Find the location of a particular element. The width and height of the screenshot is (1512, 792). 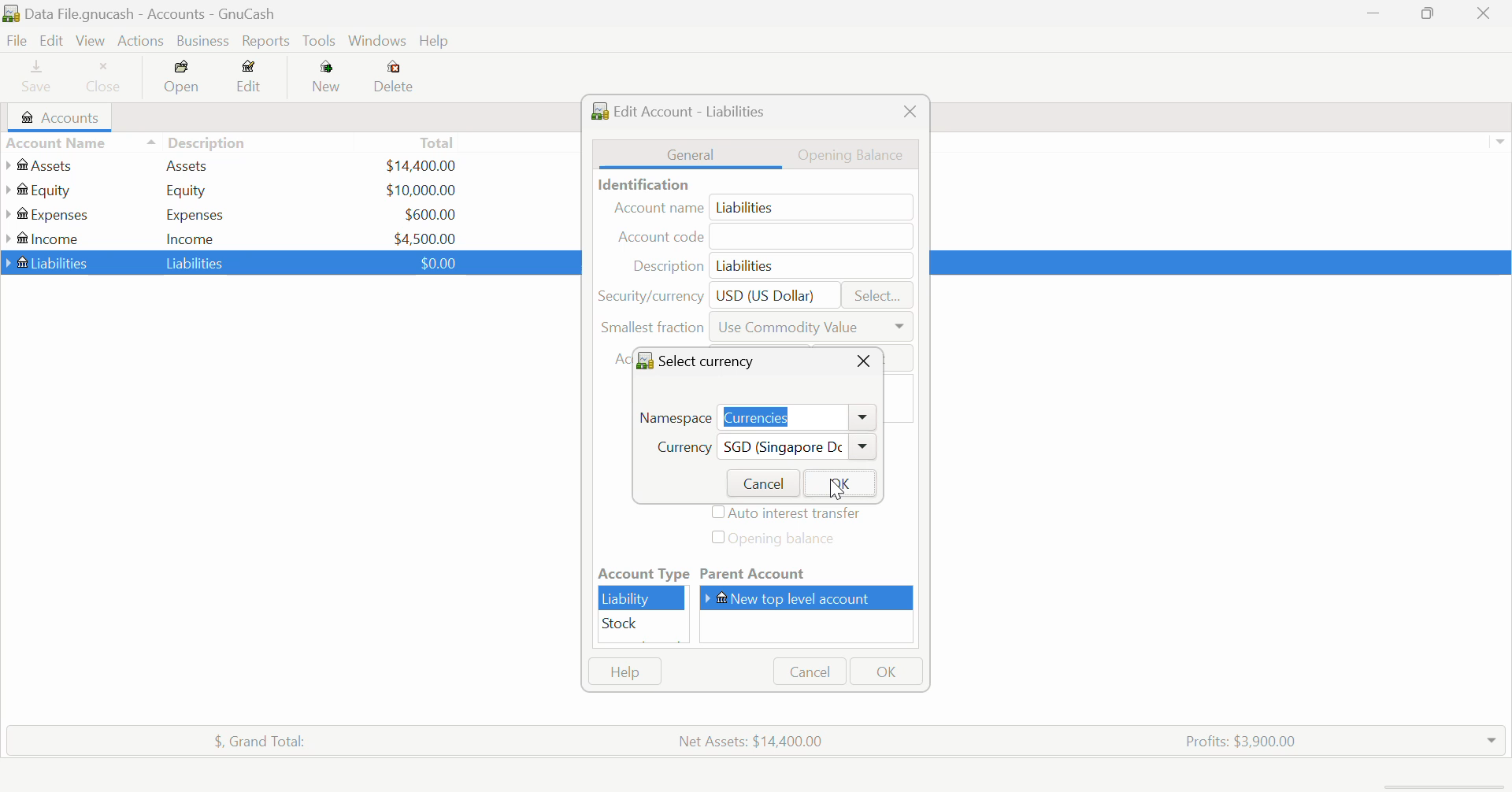

Opening balance is located at coordinates (787, 540).